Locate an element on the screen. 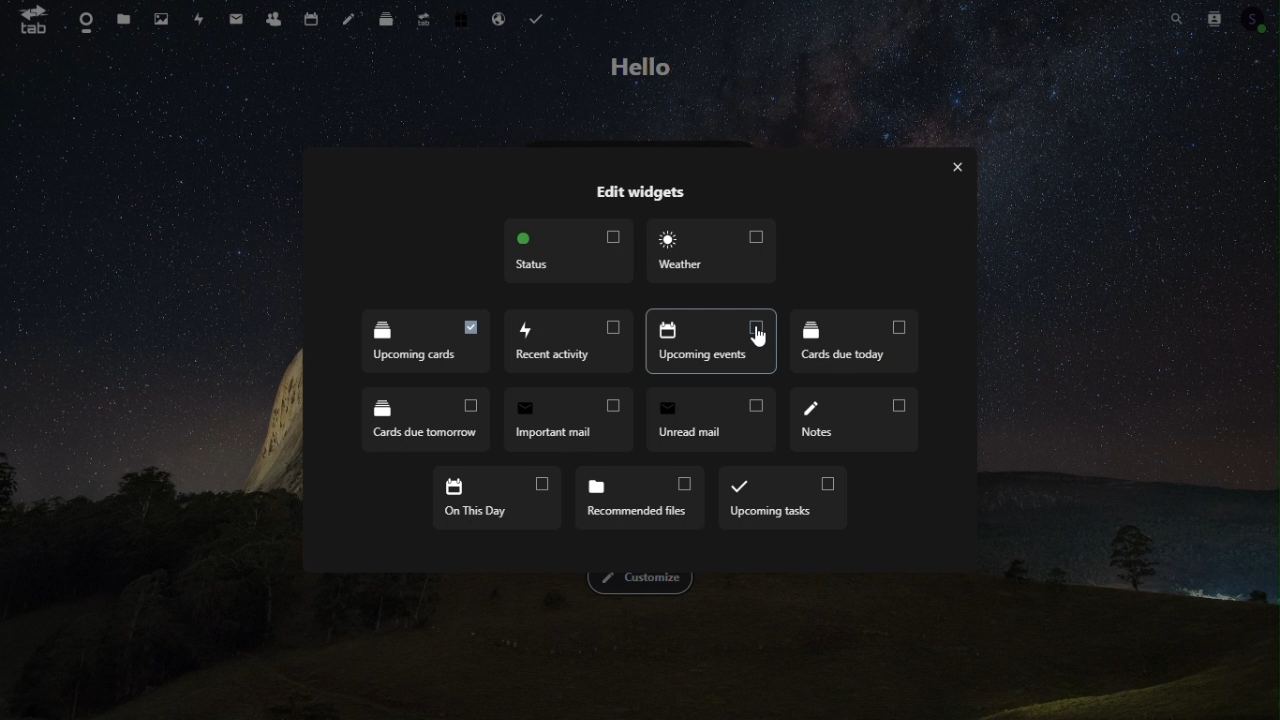 Image resolution: width=1280 pixels, height=720 pixels. On this day is located at coordinates (492, 497).